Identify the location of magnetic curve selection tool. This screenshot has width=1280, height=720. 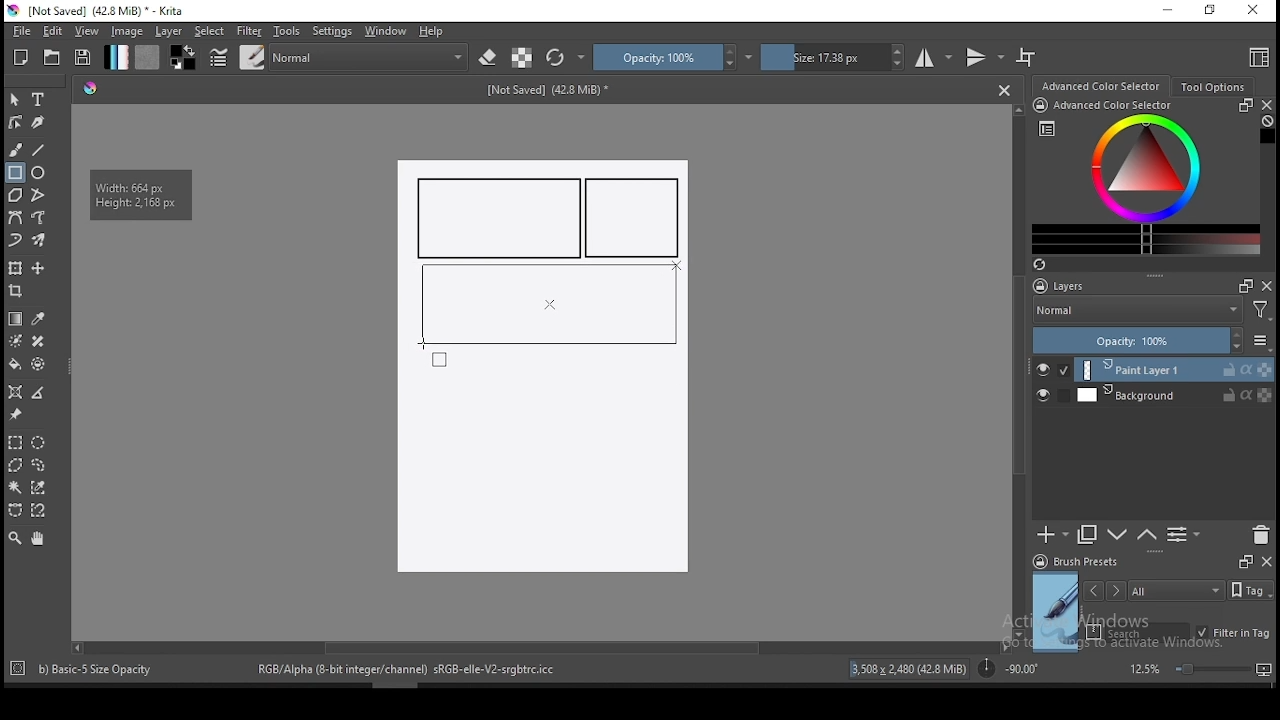
(36, 510).